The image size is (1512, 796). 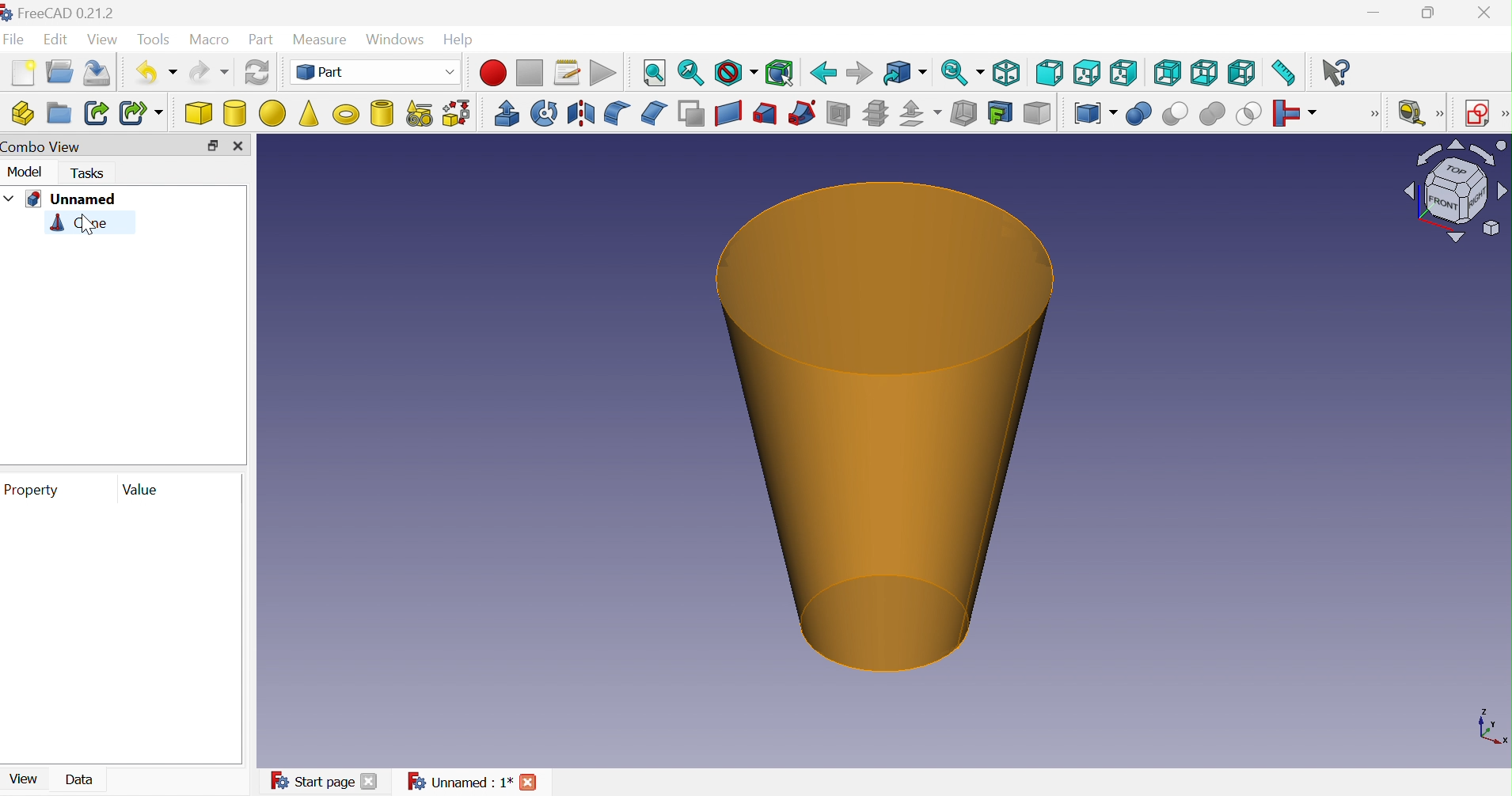 What do you see at coordinates (272, 114) in the screenshot?
I see `Sphere` at bounding box center [272, 114].